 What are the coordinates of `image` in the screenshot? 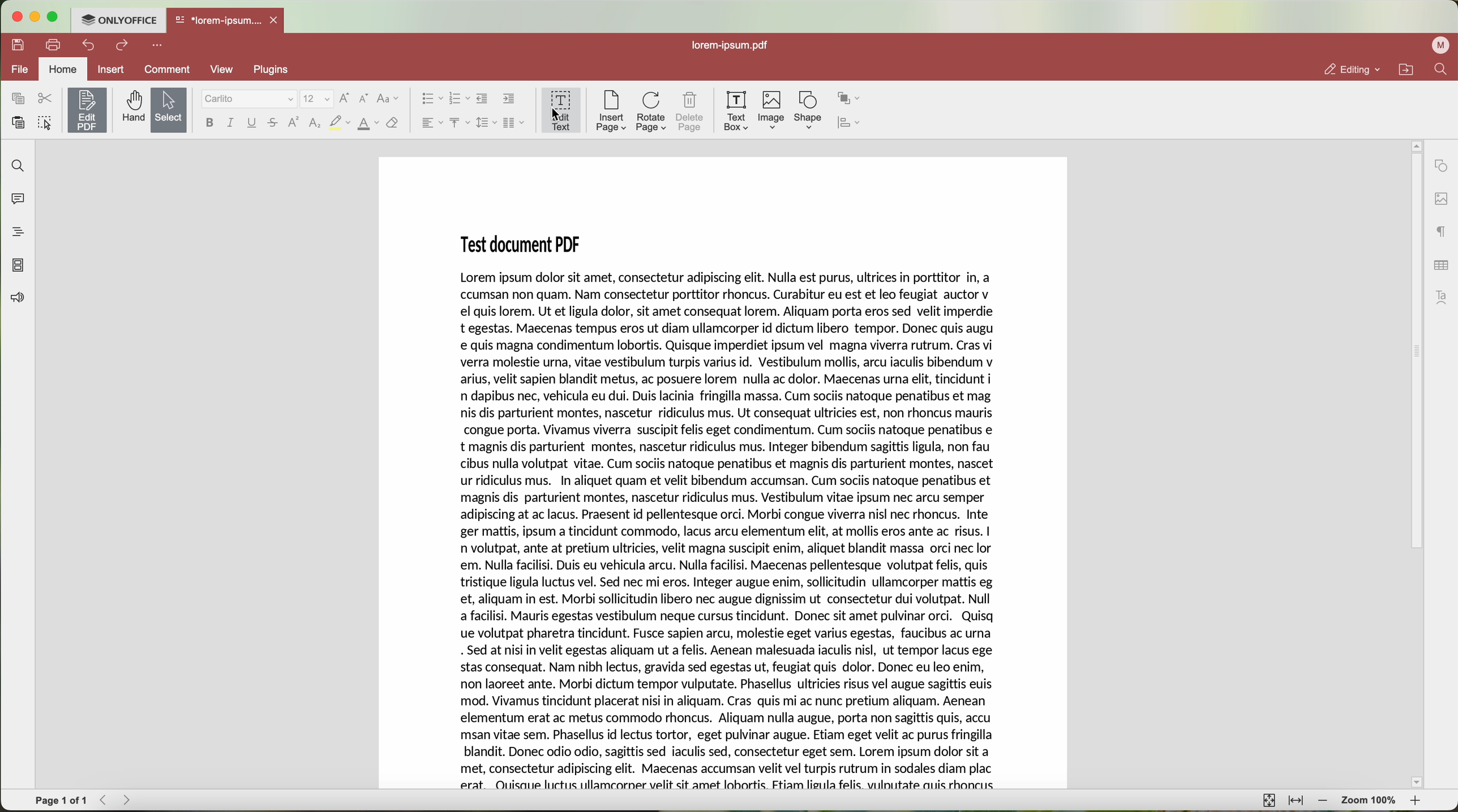 It's located at (773, 110).